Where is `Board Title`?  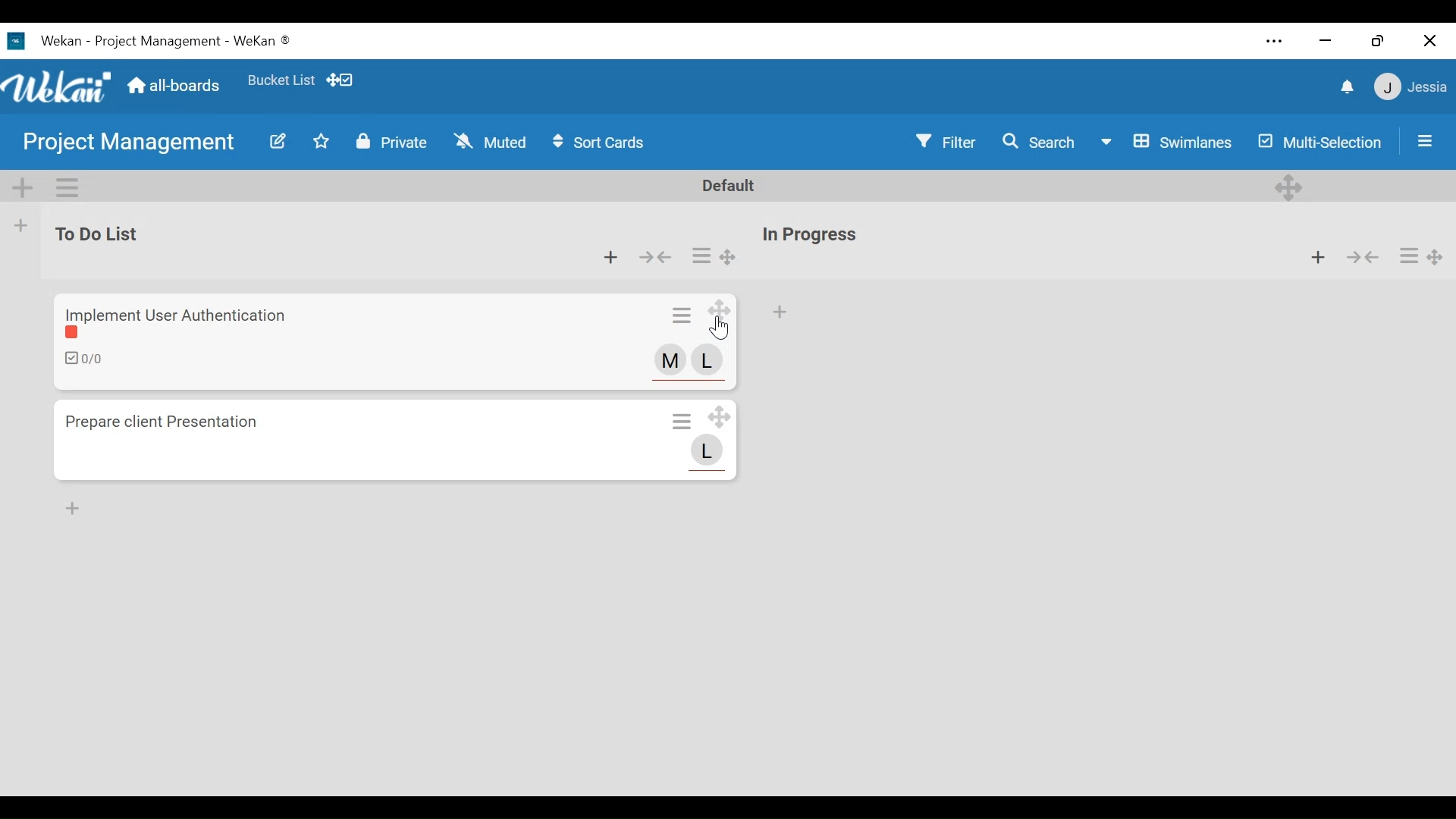 Board Title is located at coordinates (165, 42).